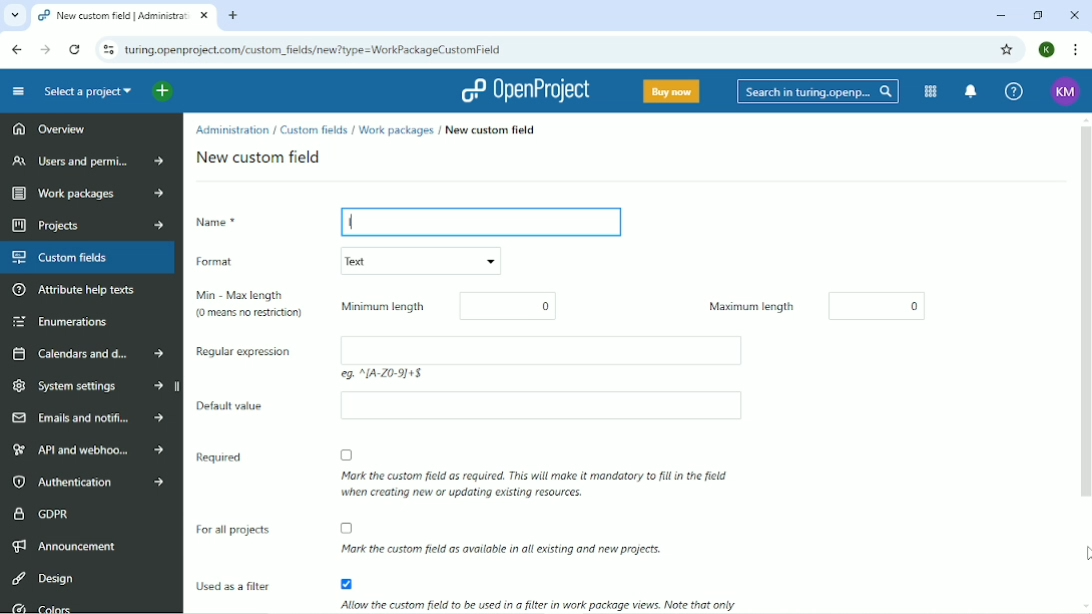  What do you see at coordinates (66, 545) in the screenshot?
I see `Announcement` at bounding box center [66, 545].